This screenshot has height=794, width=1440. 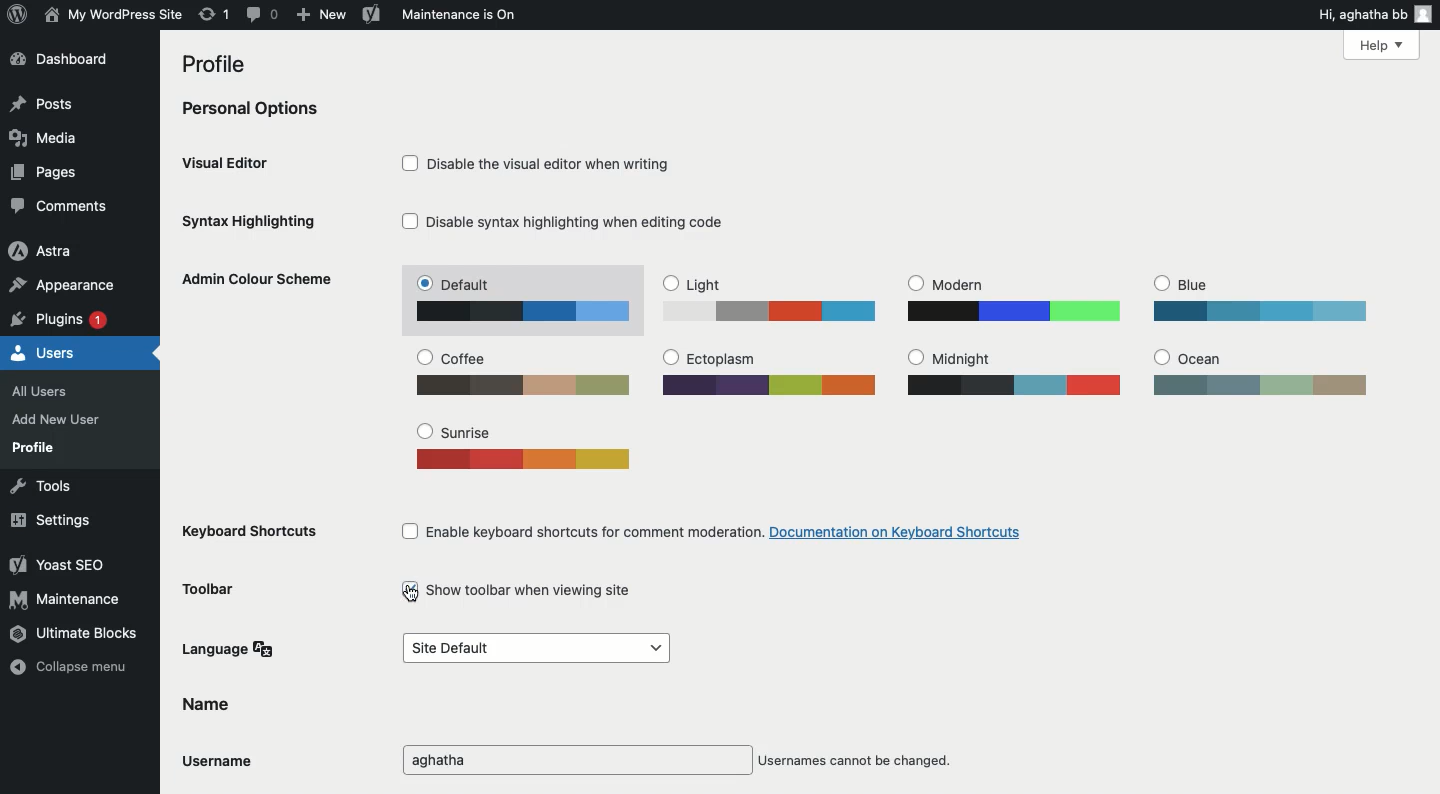 I want to click on Site name, so click(x=112, y=17).